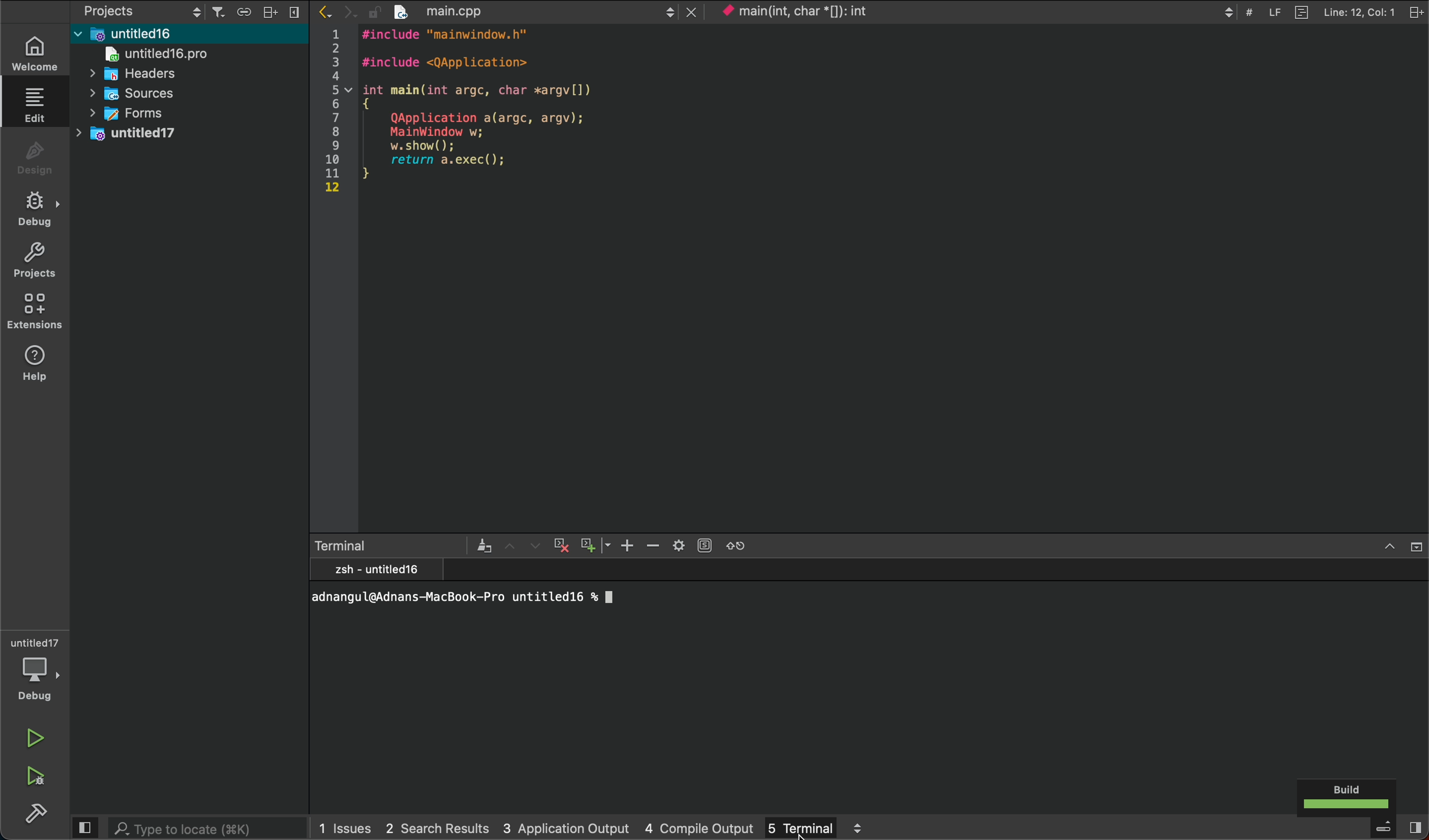 The width and height of the screenshot is (1429, 840). What do you see at coordinates (656, 546) in the screenshot?
I see `zoom out` at bounding box center [656, 546].